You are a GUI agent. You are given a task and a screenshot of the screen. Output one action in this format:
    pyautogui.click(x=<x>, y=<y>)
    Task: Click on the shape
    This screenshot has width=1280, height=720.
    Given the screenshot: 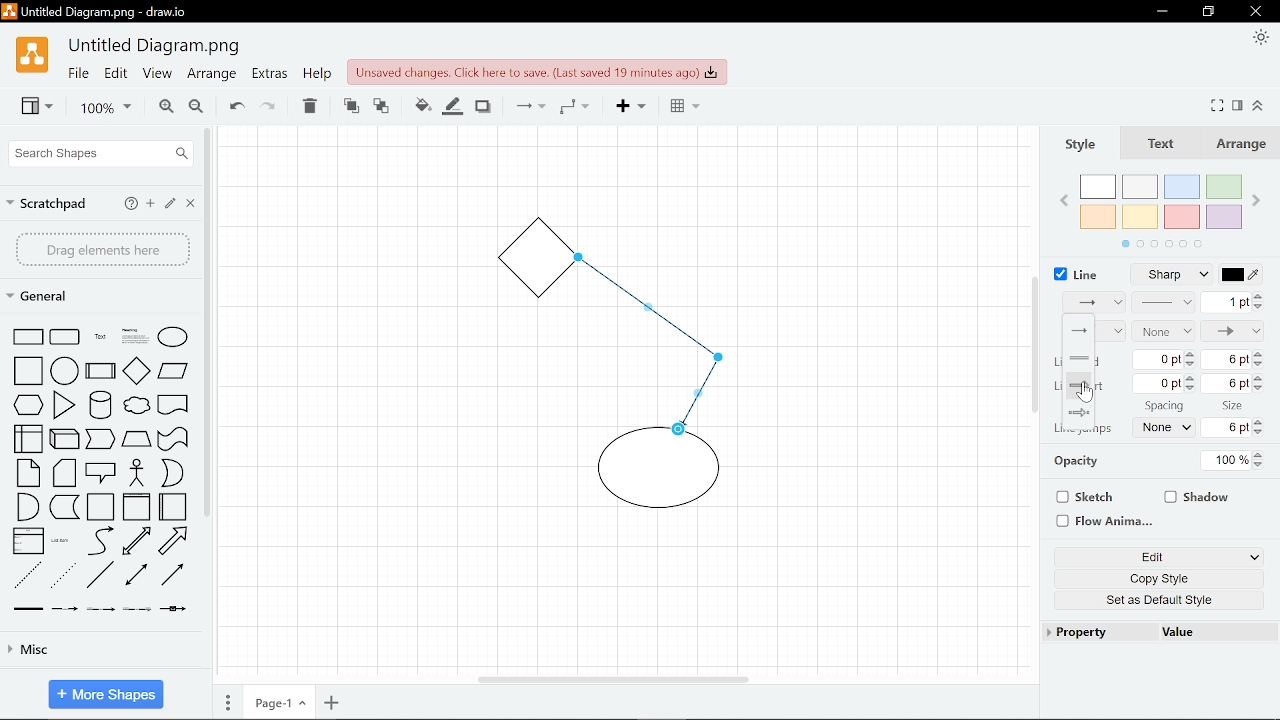 What is the action you would take?
    pyautogui.click(x=103, y=472)
    